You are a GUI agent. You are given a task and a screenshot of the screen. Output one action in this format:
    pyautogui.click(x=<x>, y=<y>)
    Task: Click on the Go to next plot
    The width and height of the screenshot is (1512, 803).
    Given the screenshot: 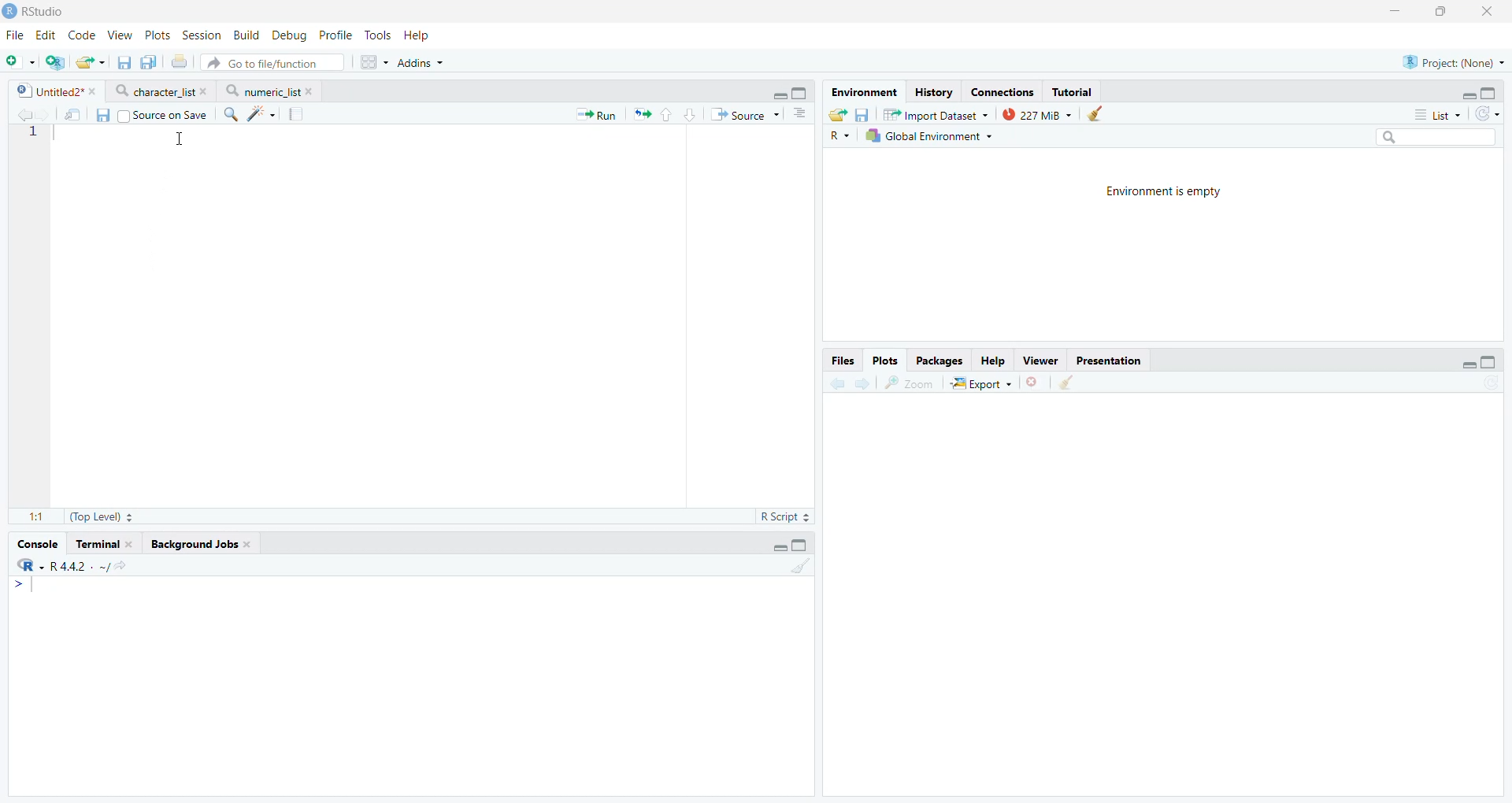 What is the action you would take?
    pyautogui.click(x=862, y=383)
    